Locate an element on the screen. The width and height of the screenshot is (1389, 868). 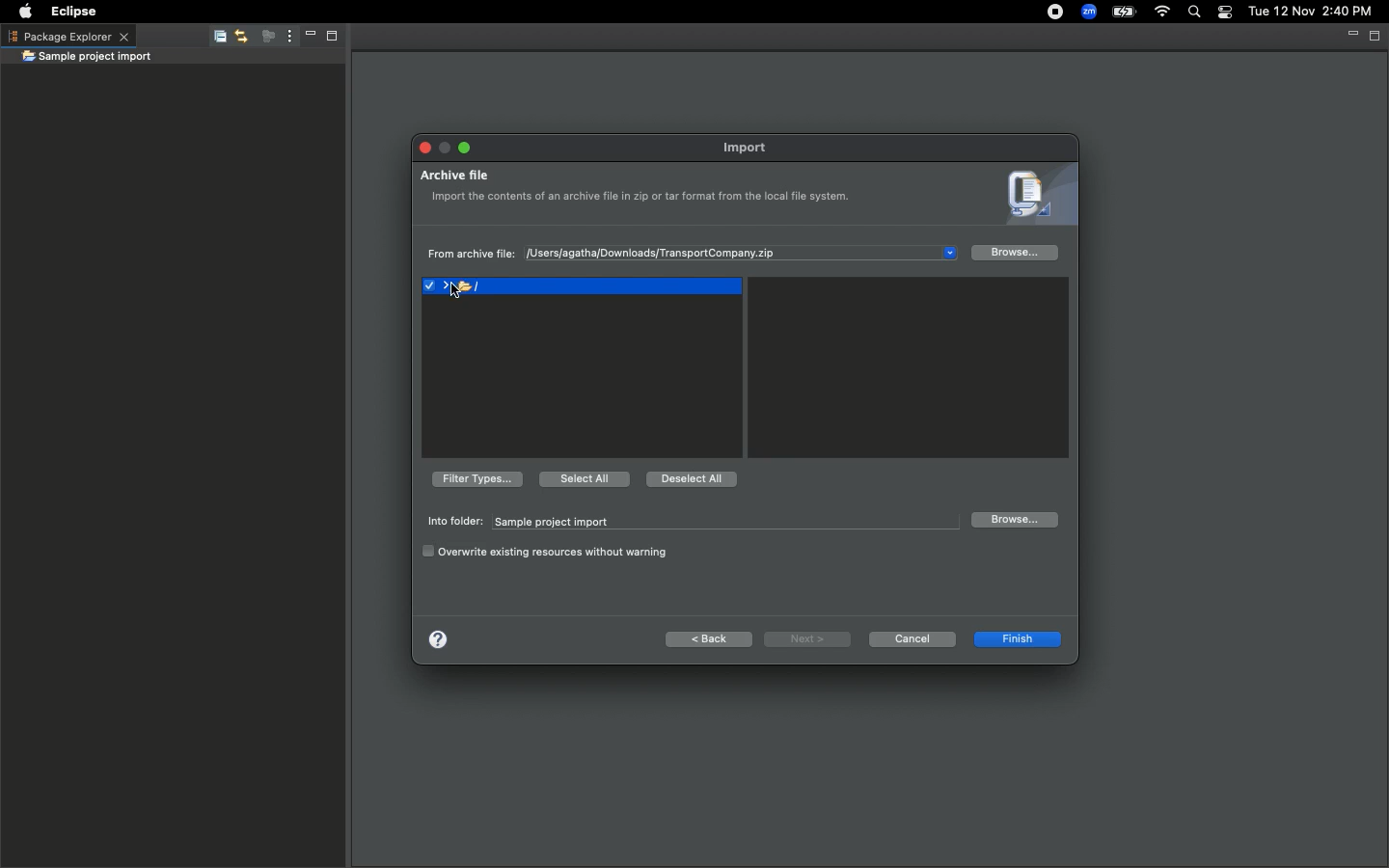
Maximize is located at coordinates (1375, 36).